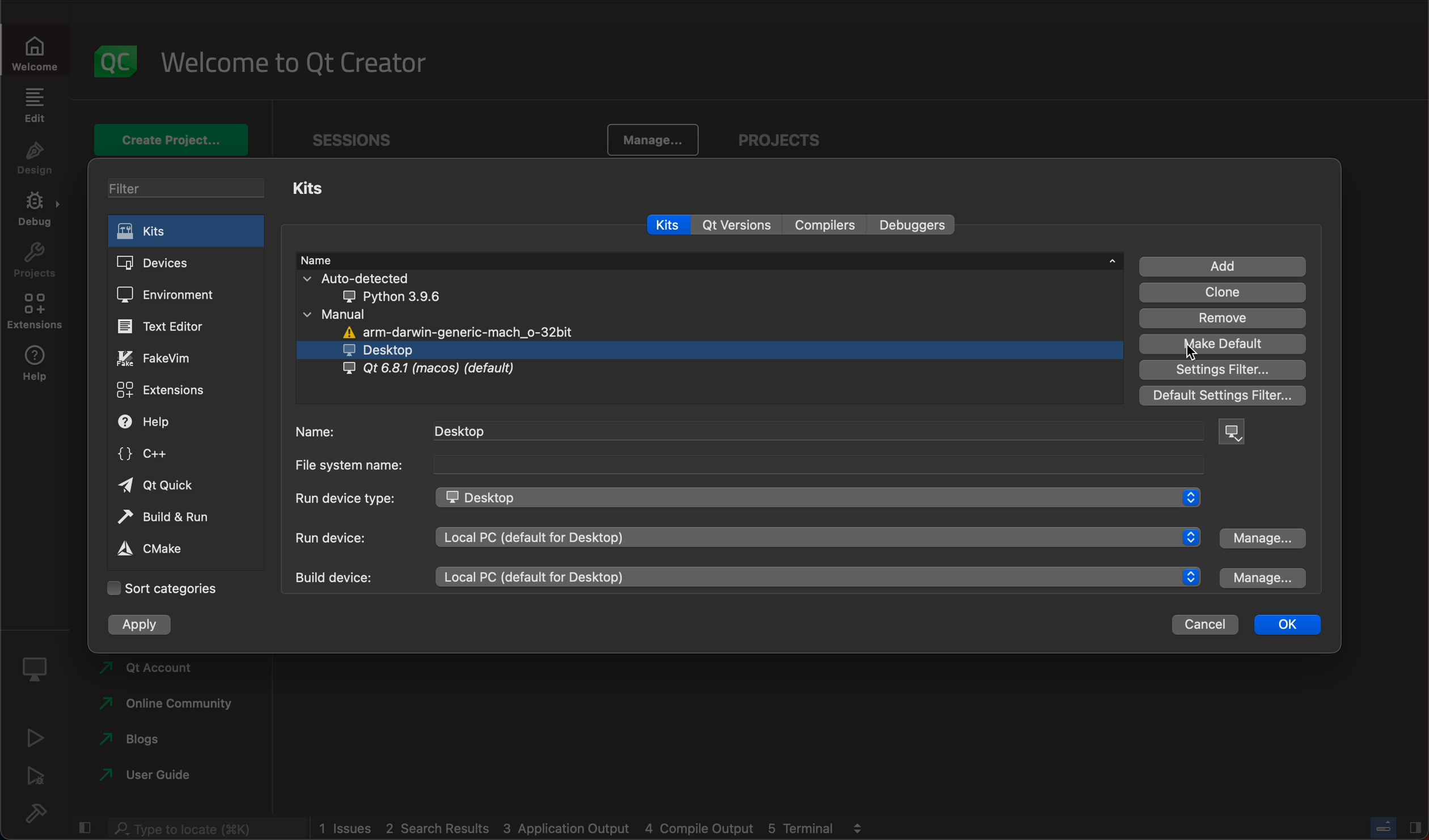 The image size is (1429, 840). Describe the element at coordinates (1199, 626) in the screenshot. I see `cancel` at that location.